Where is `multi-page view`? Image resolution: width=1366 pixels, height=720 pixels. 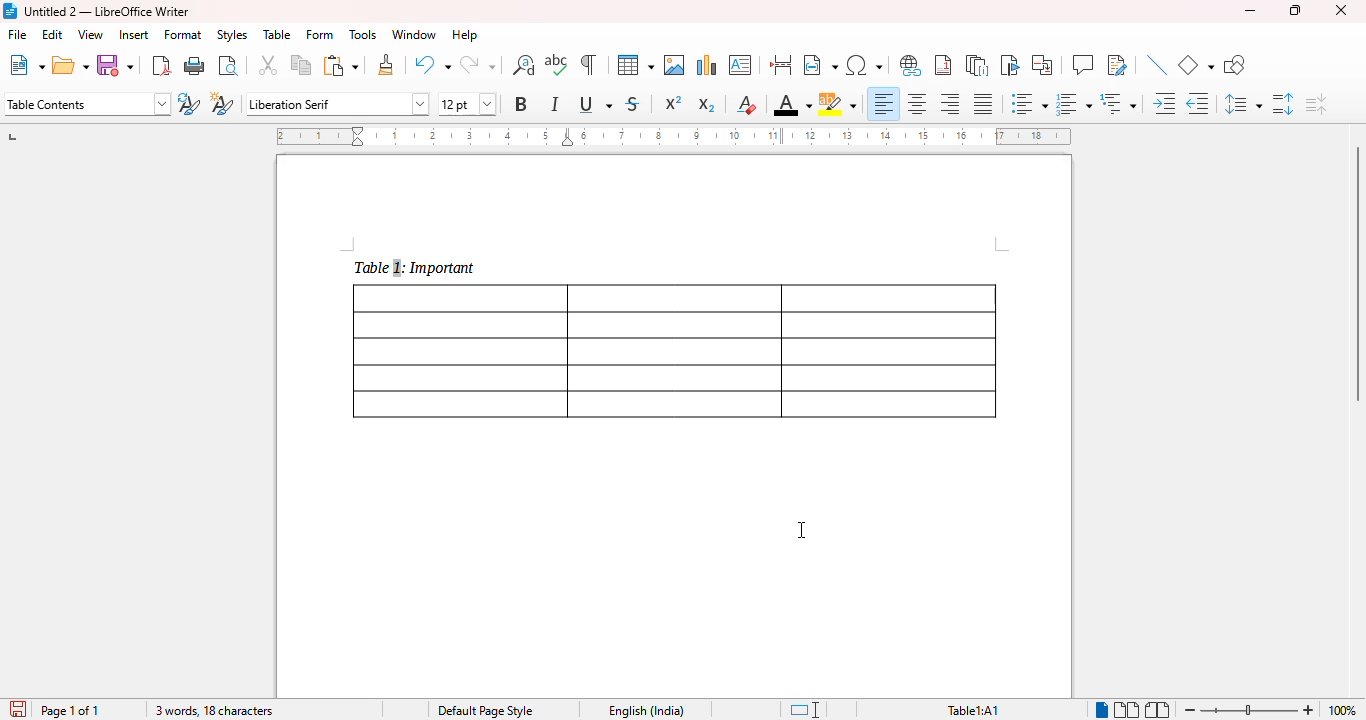 multi-page view is located at coordinates (1128, 710).